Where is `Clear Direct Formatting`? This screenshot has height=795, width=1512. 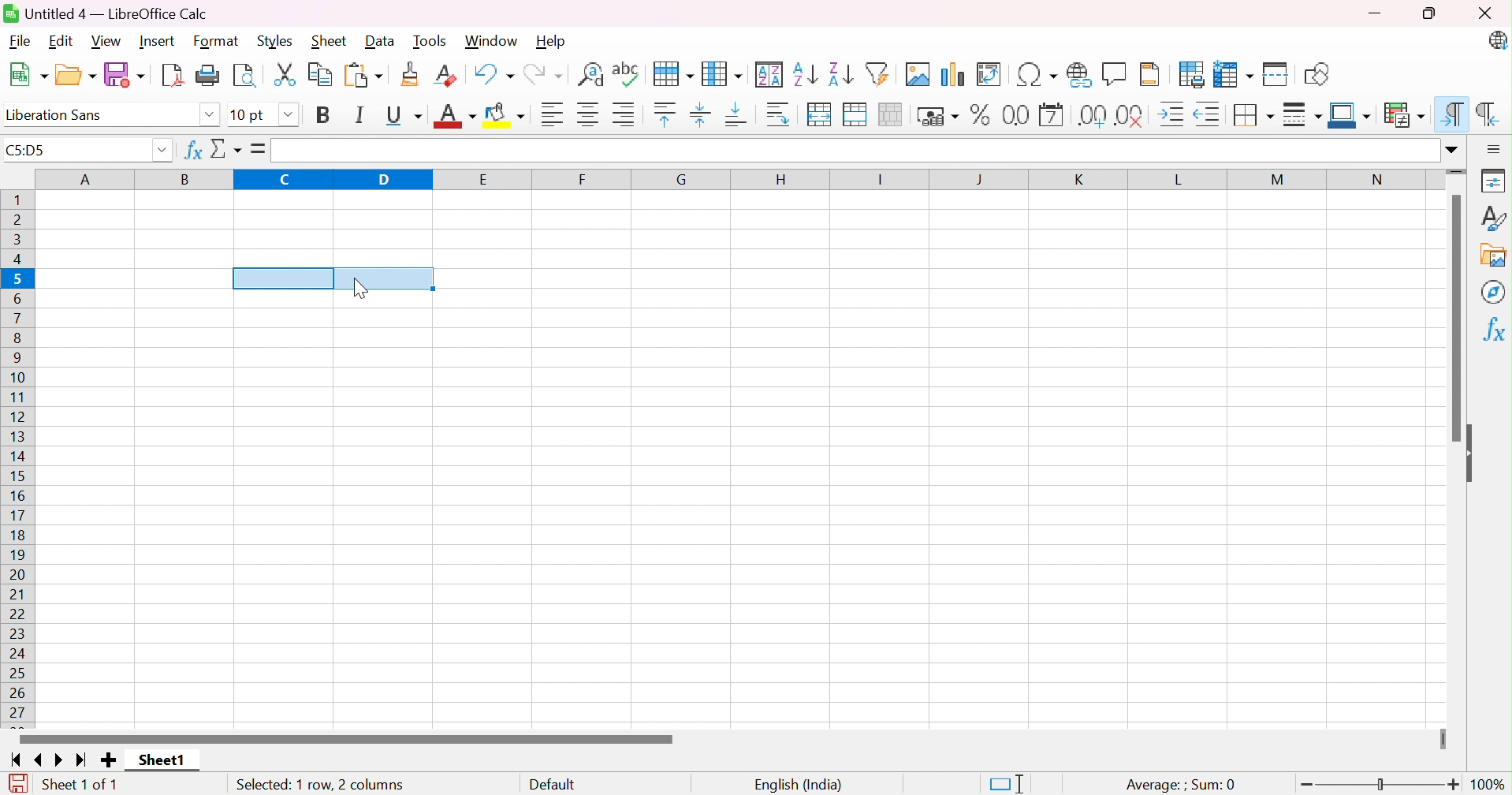 Clear Direct Formatting is located at coordinates (448, 74).